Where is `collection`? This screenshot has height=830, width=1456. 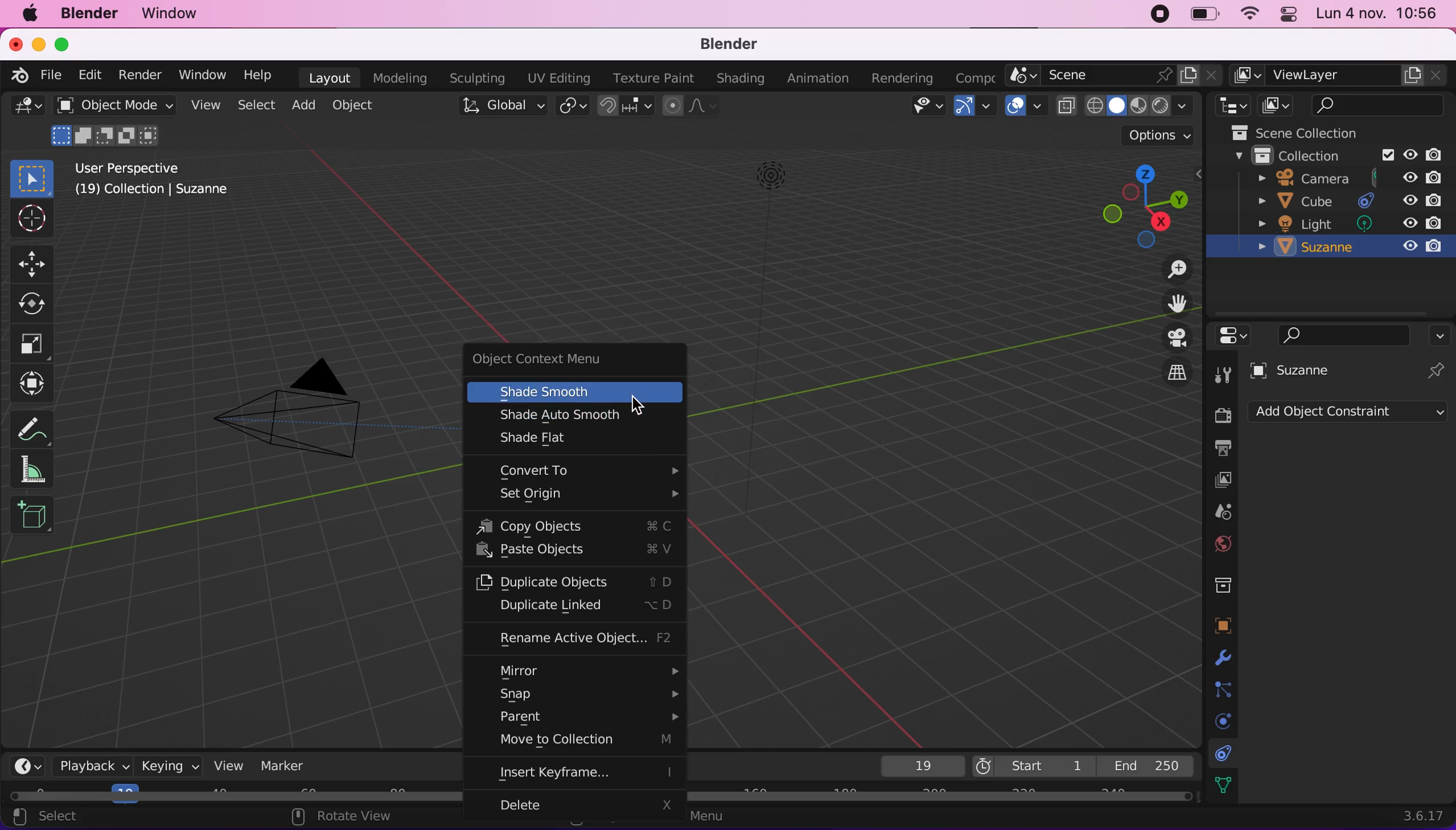
collection is located at coordinates (1343, 156).